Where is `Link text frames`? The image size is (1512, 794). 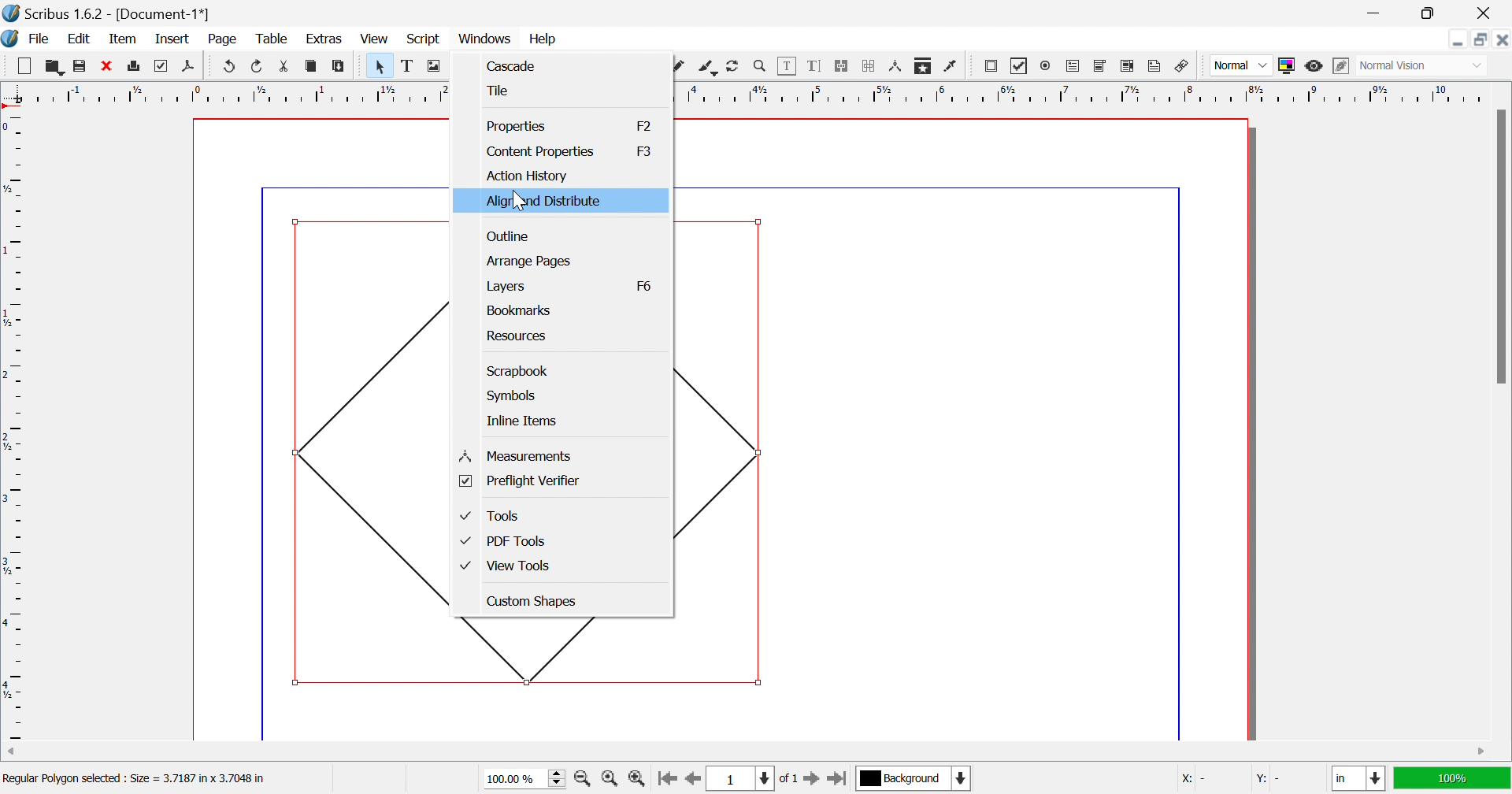 Link text frames is located at coordinates (840, 66).